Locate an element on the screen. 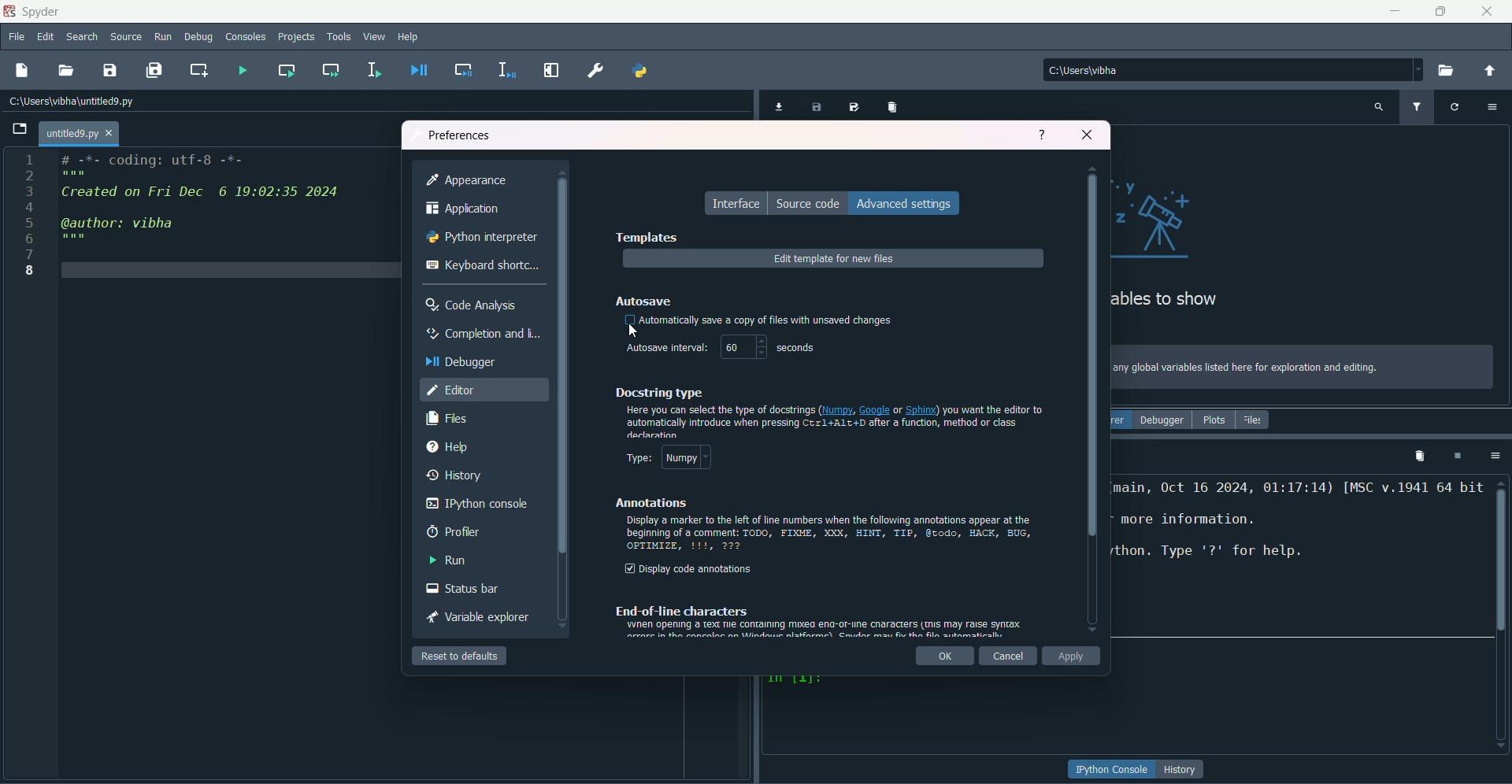  autosave is located at coordinates (647, 300).